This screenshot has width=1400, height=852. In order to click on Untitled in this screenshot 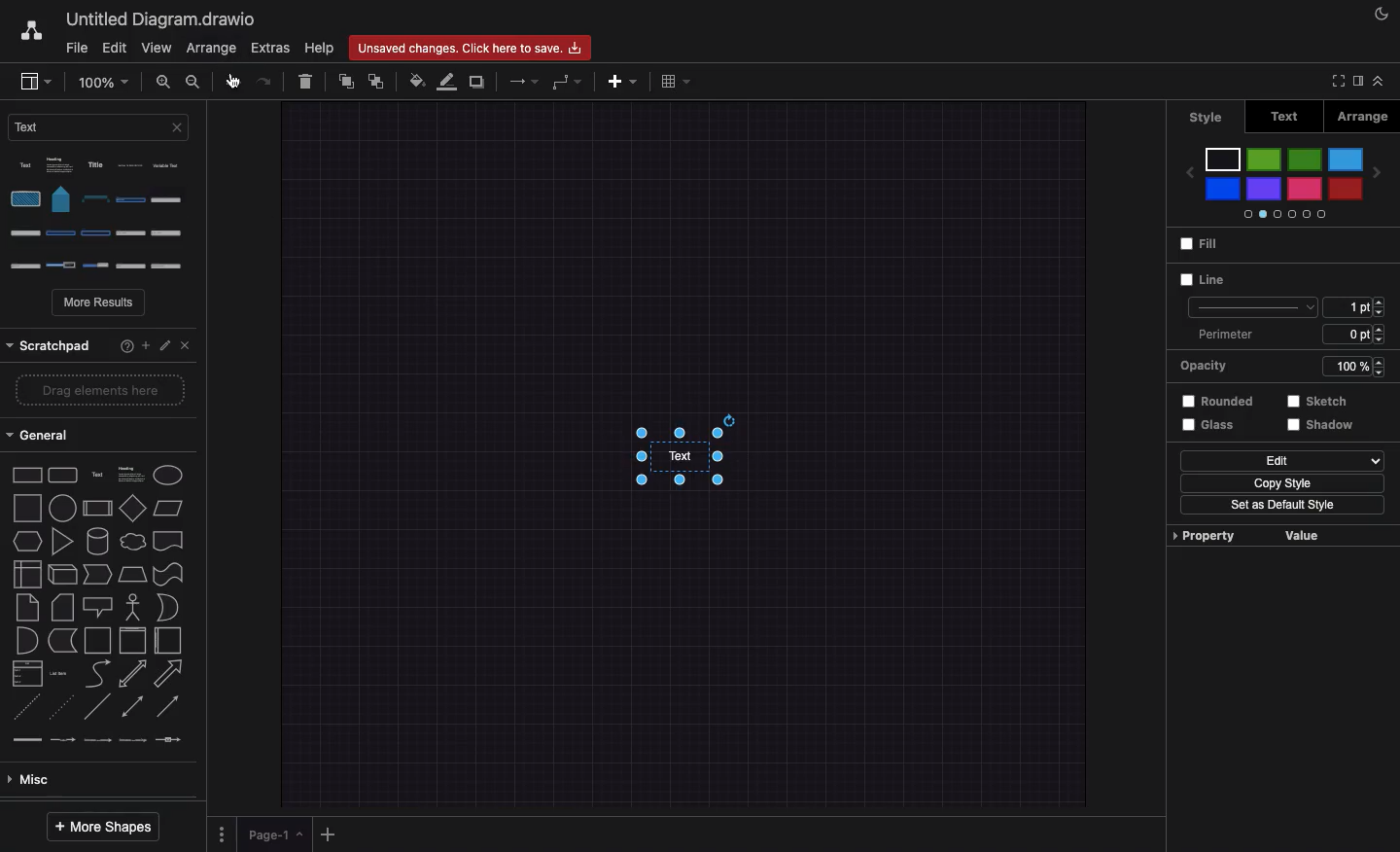, I will do `click(157, 20)`.